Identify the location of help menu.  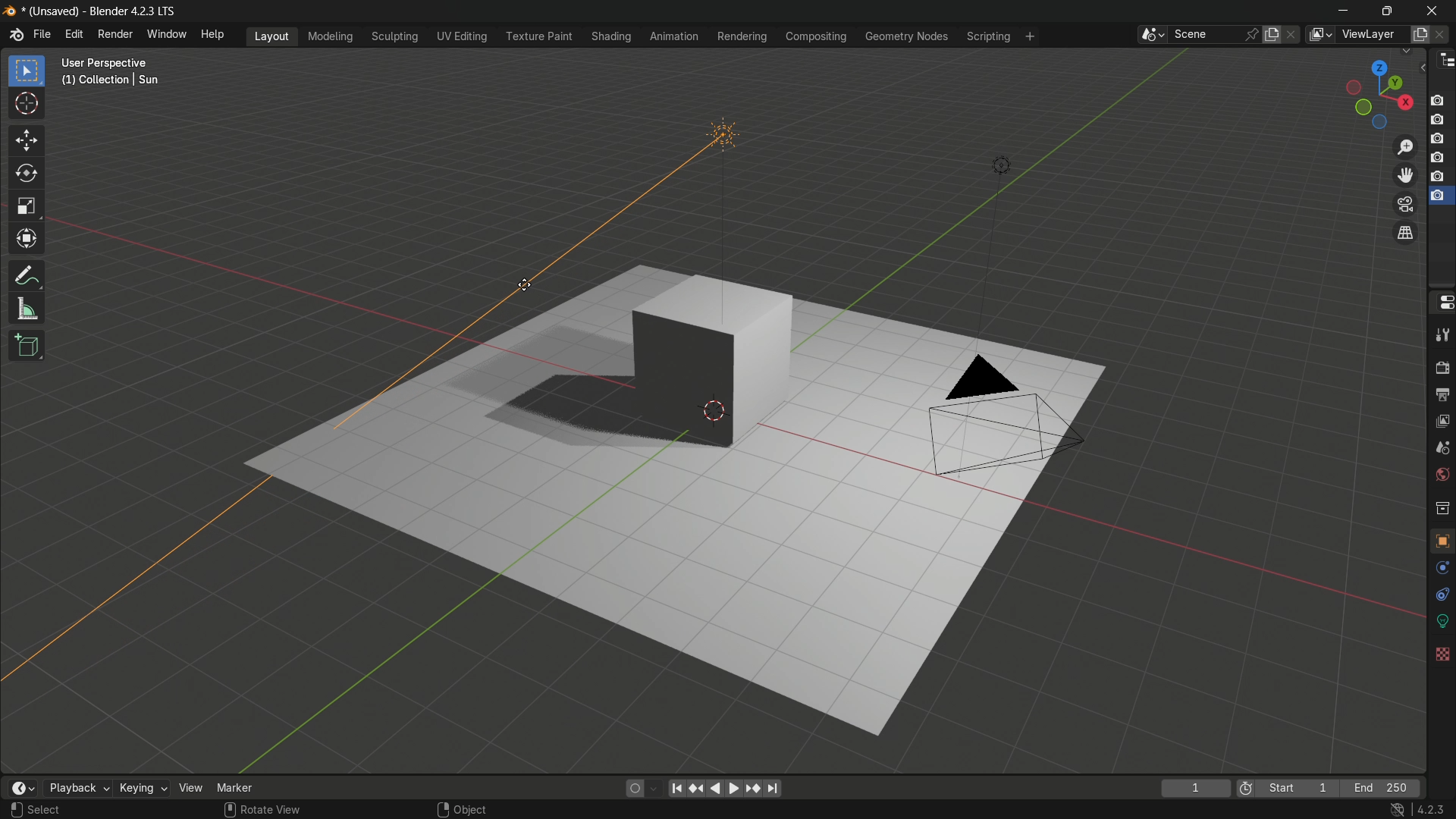
(212, 34).